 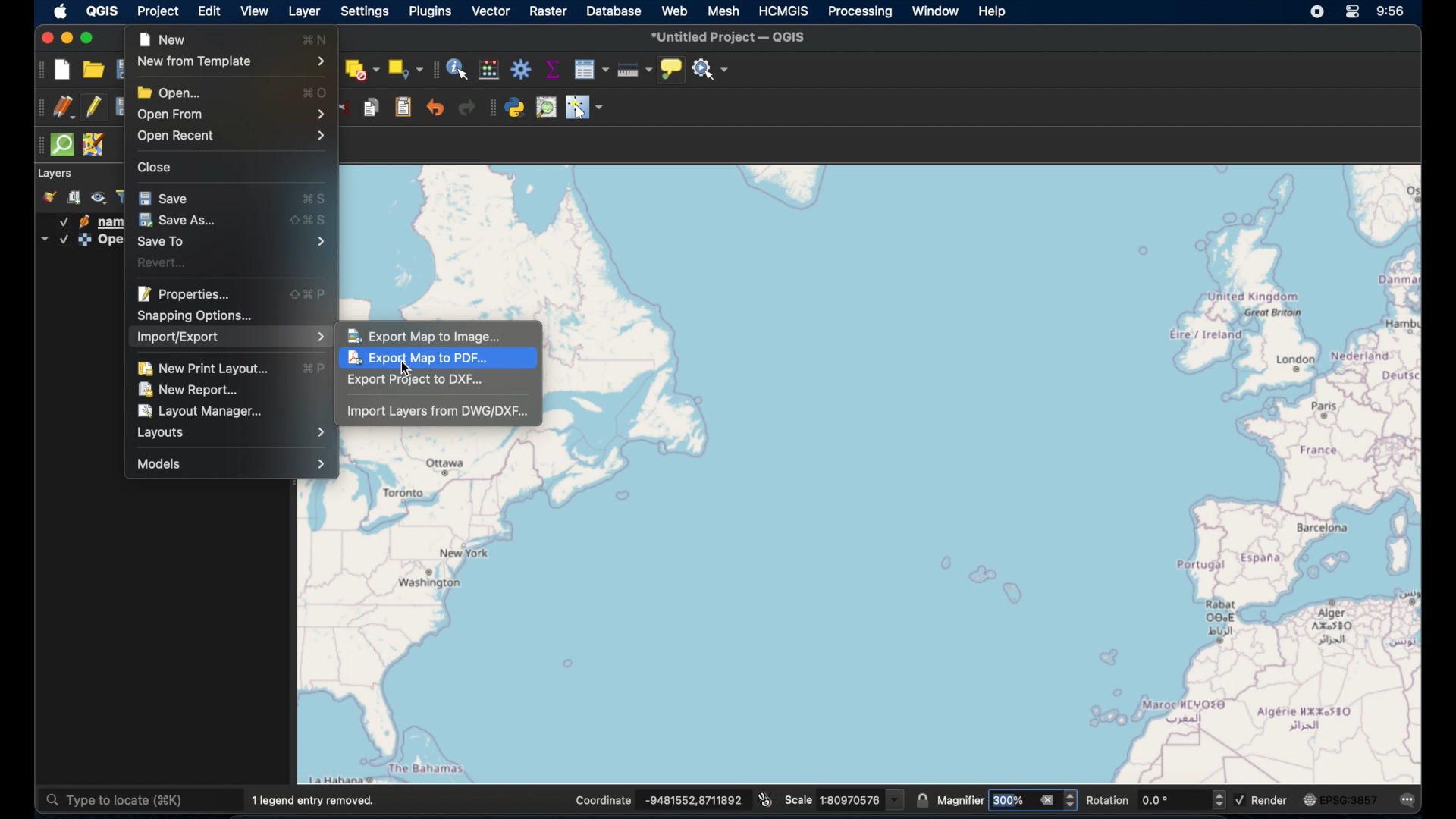 What do you see at coordinates (432, 13) in the screenshot?
I see `plugins` at bounding box center [432, 13].